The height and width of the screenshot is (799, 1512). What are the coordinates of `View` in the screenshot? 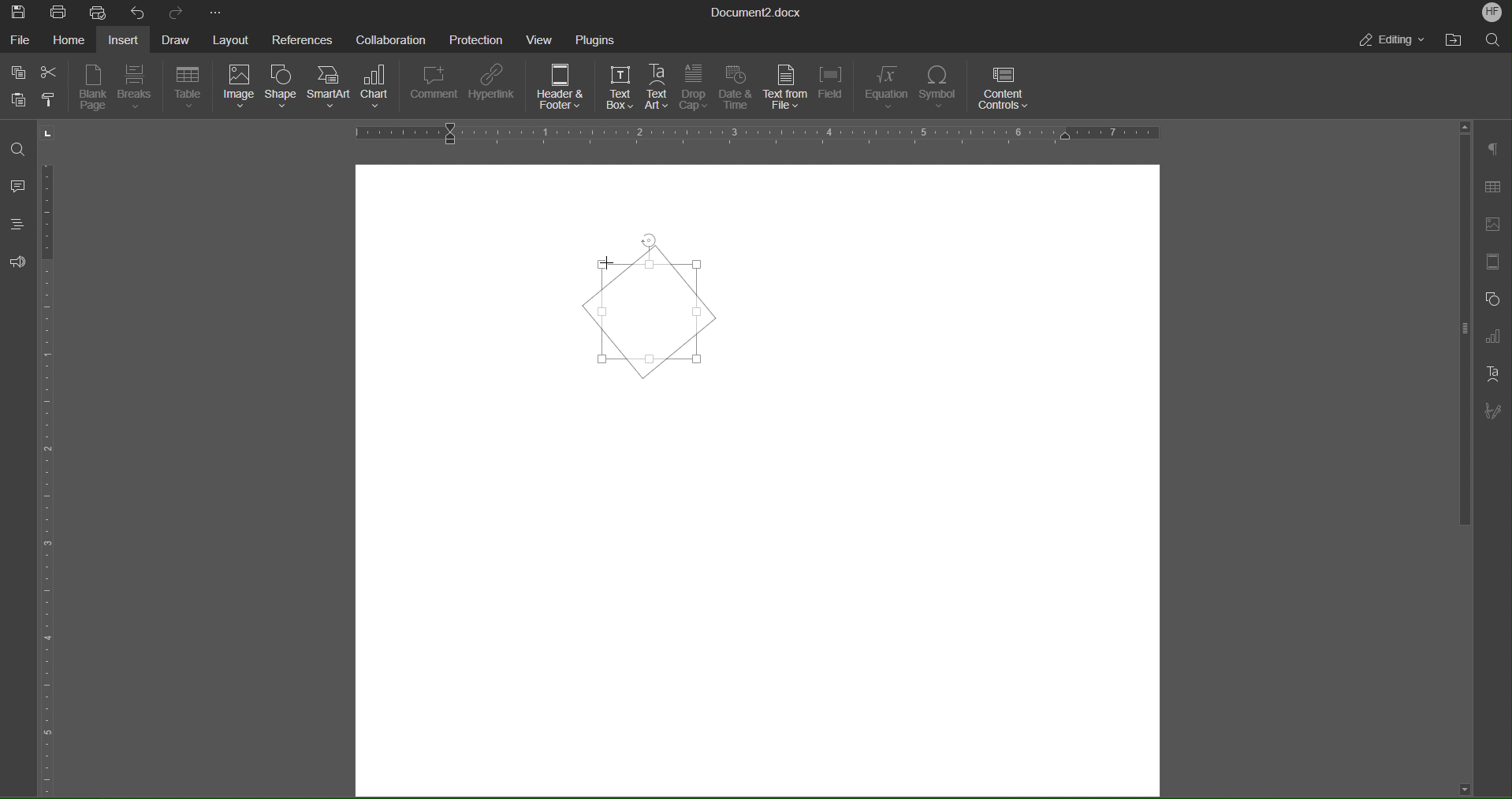 It's located at (542, 38).